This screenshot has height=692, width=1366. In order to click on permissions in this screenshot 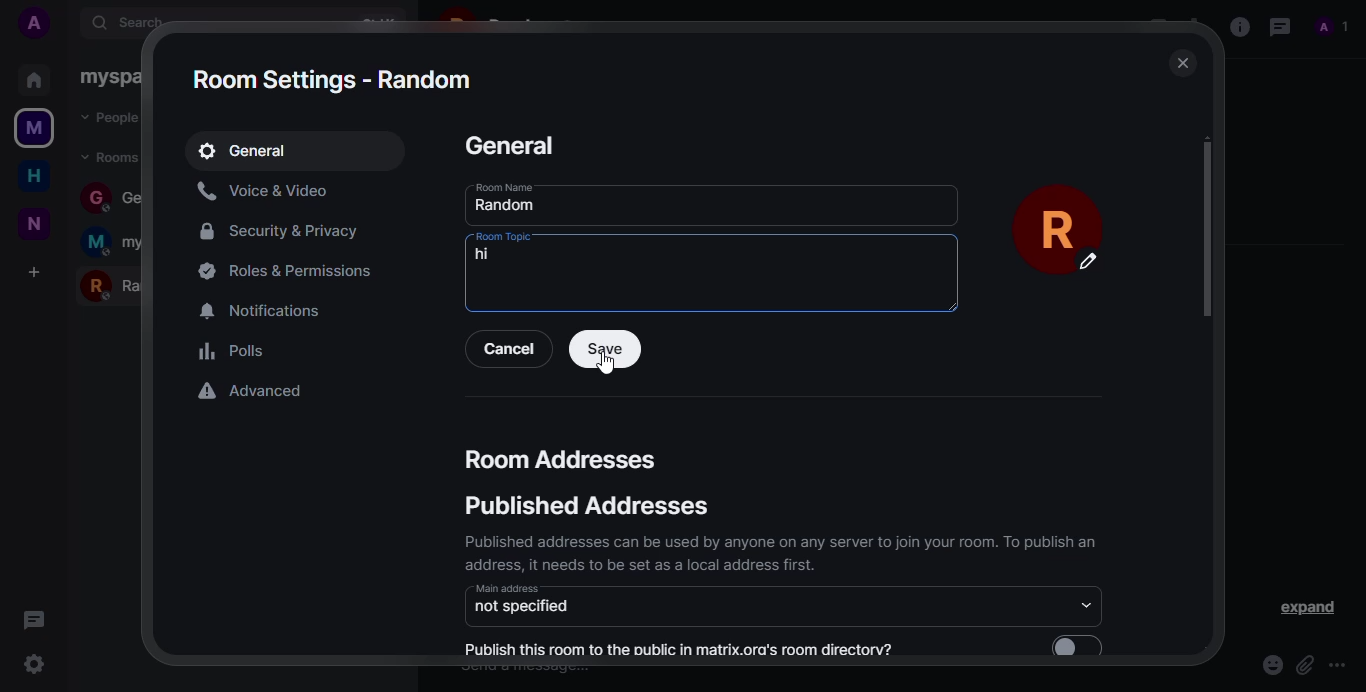, I will do `click(294, 270)`.